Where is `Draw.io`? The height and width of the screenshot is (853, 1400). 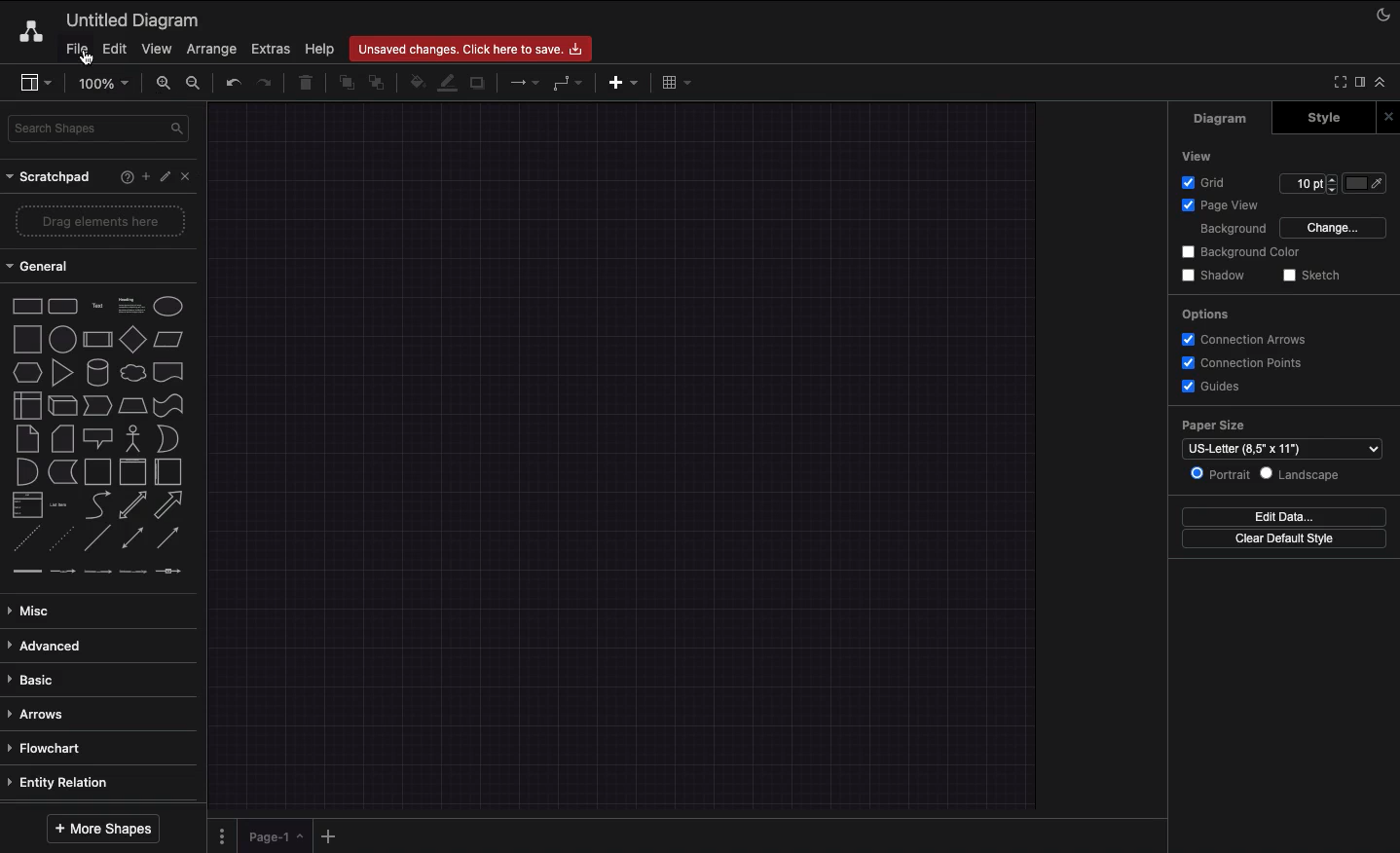
Draw.io is located at coordinates (27, 31).